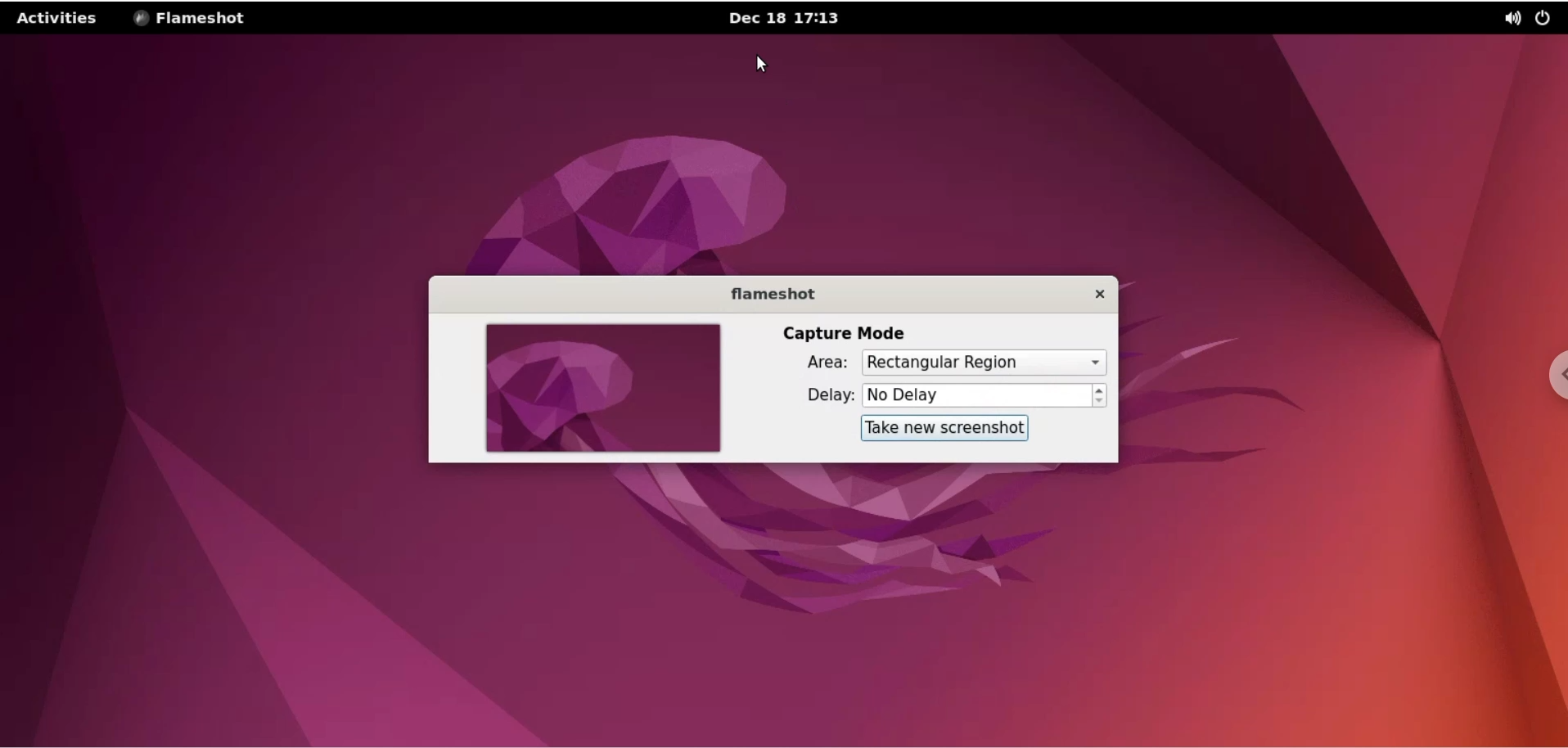 Image resolution: width=1568 pixels, height=748 pixels. What do you see at coordinates (976, 396) in the screenshot?
I see `delay time ` at bounding box center [976, 396].